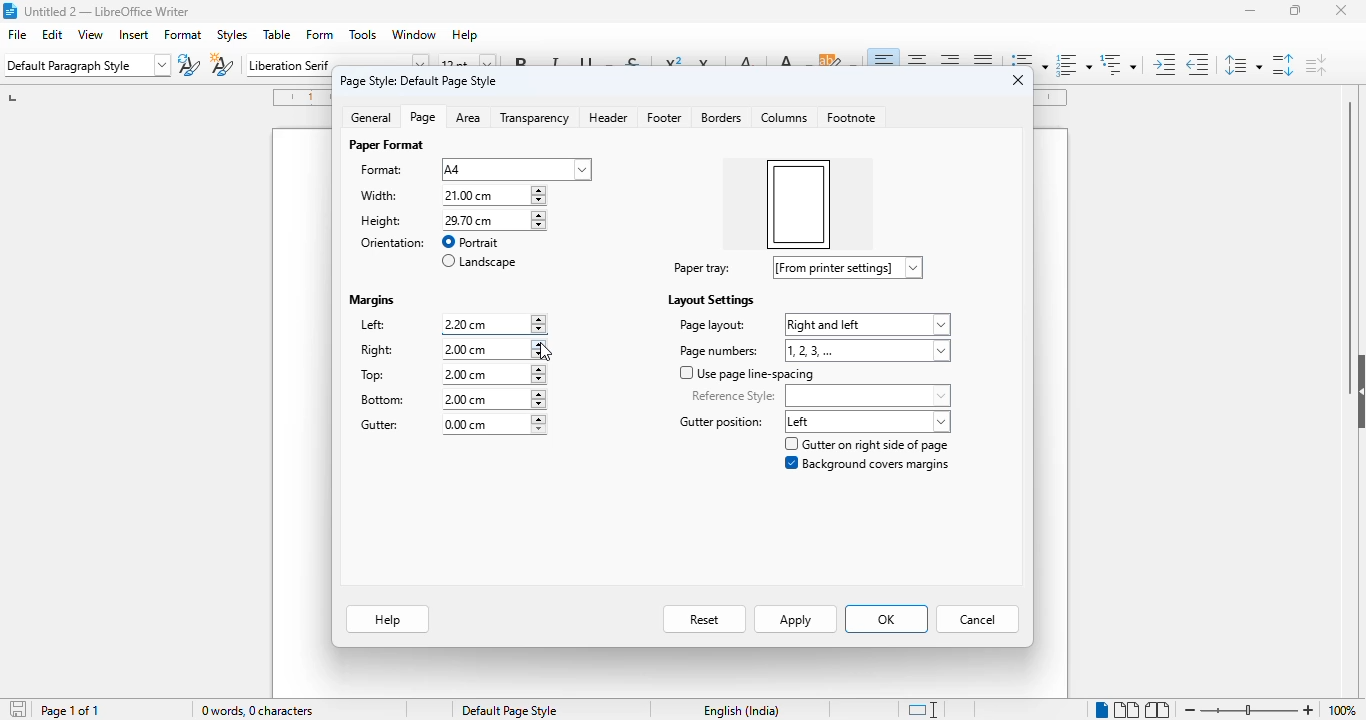 This screenshot has width=1366, height=720. What do you see at coordinates (1251, 11) in the screenshot?
I see `minimize` at bounding box center [1251, 11].